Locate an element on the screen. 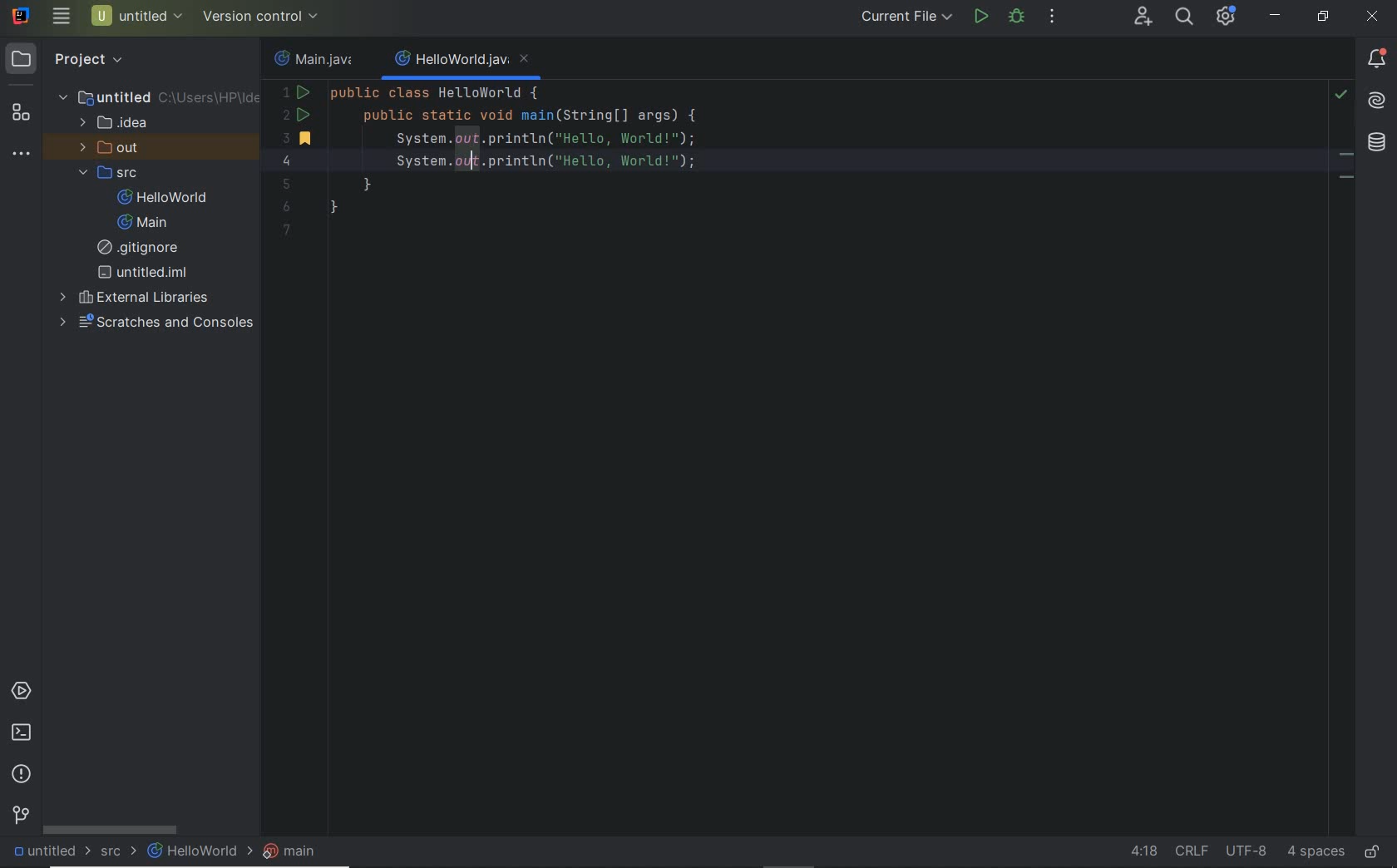 This screenshot has width=1397, height=868. Application logo is located at coordinates (18, 14).